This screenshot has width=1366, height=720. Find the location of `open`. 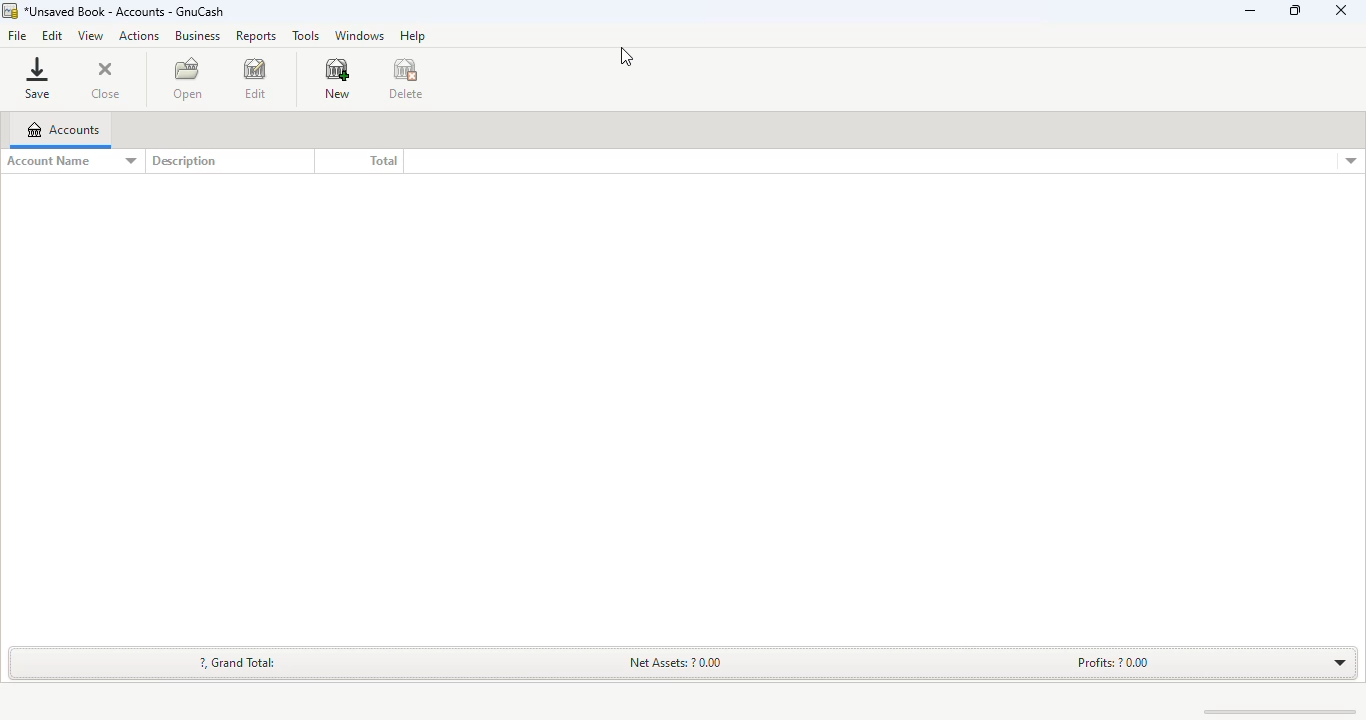

open is located at coordinates (187, 78).